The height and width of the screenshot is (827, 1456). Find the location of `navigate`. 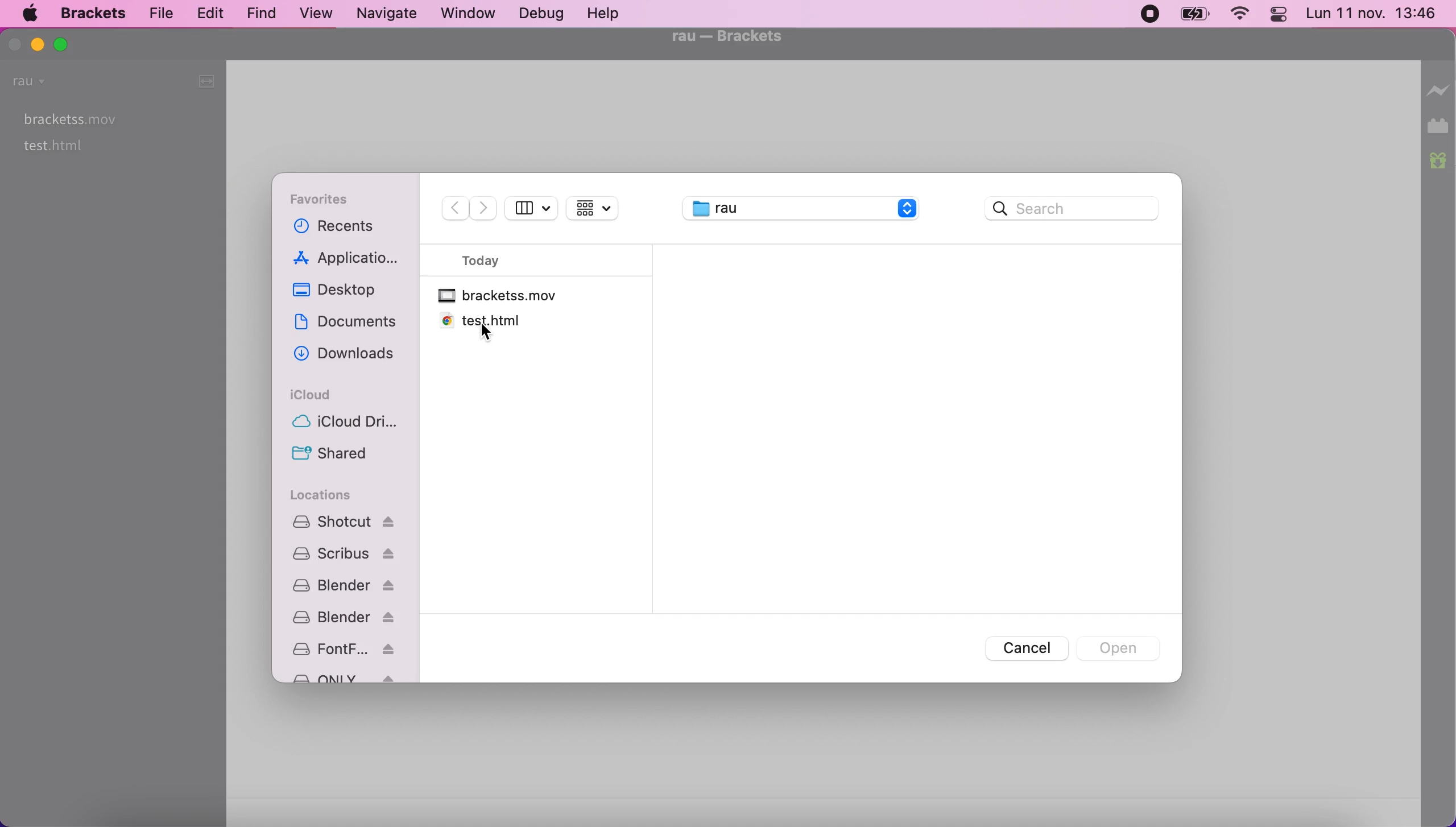

navigate is located at coordinates (388, 14).